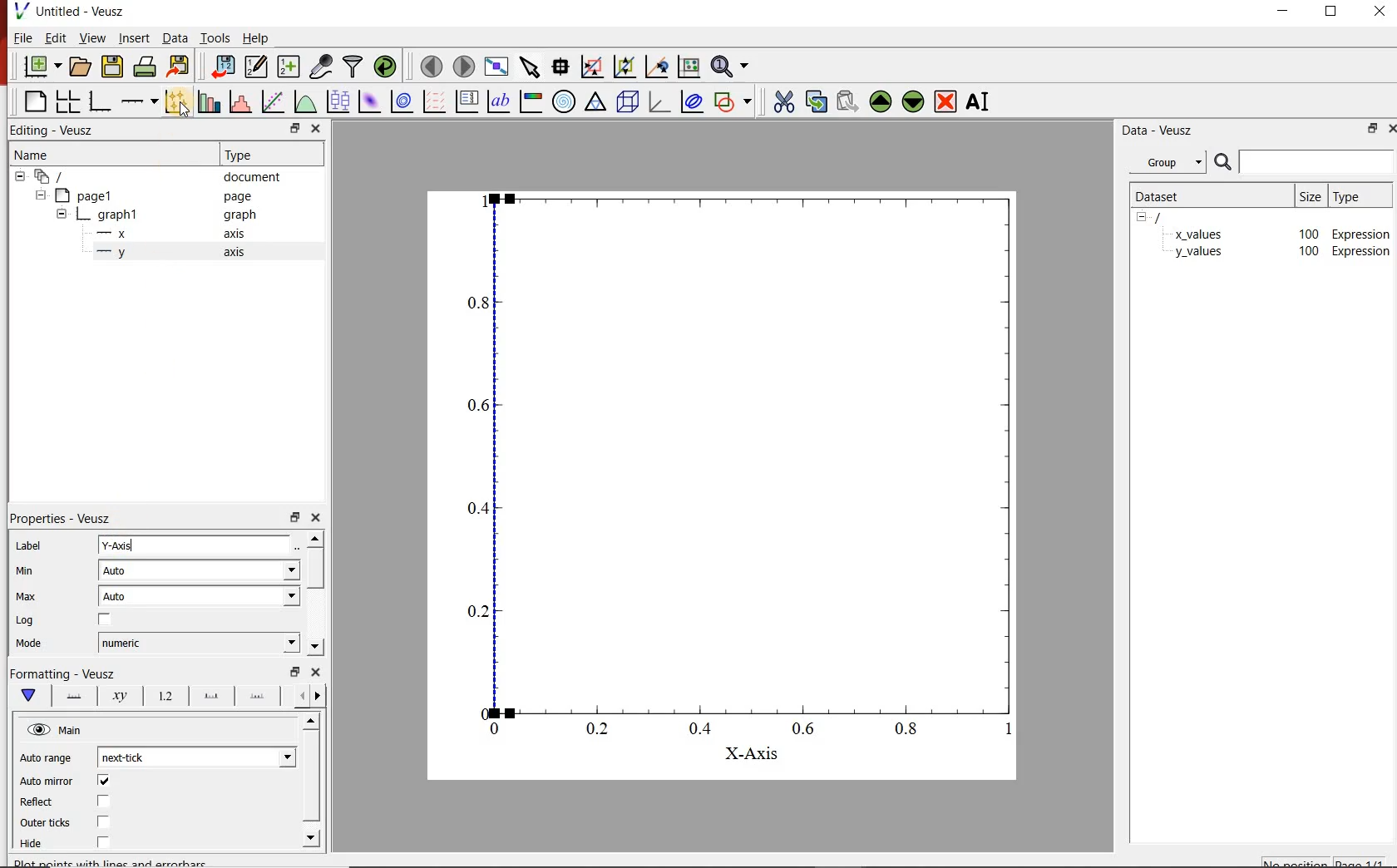 The width and height of the screenshot is (1397, 868). What do you see at coordinates (140, 101) in the screenshot?
I see `add axis on the plot` at bounding box center [140, 101].